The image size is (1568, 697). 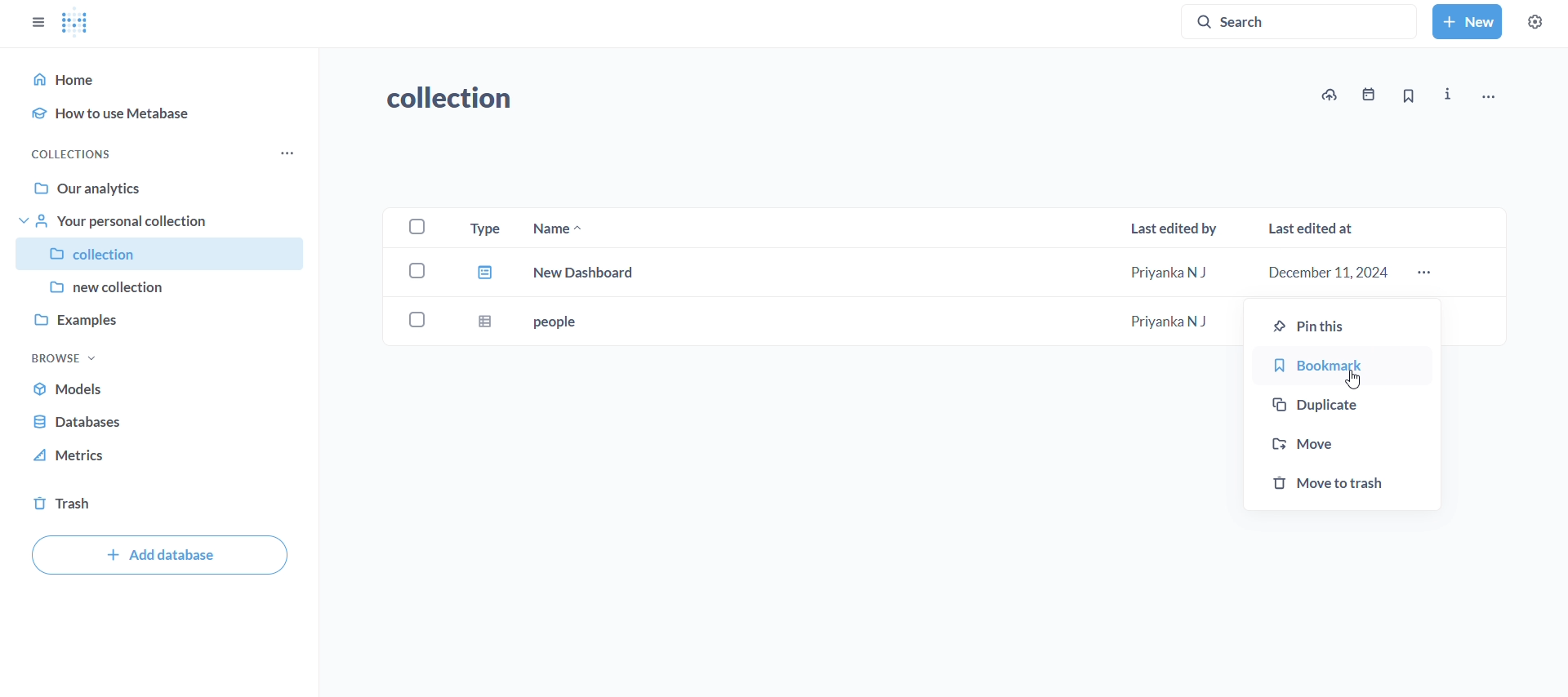 I want to click on search, so click(x=1303, y=20).